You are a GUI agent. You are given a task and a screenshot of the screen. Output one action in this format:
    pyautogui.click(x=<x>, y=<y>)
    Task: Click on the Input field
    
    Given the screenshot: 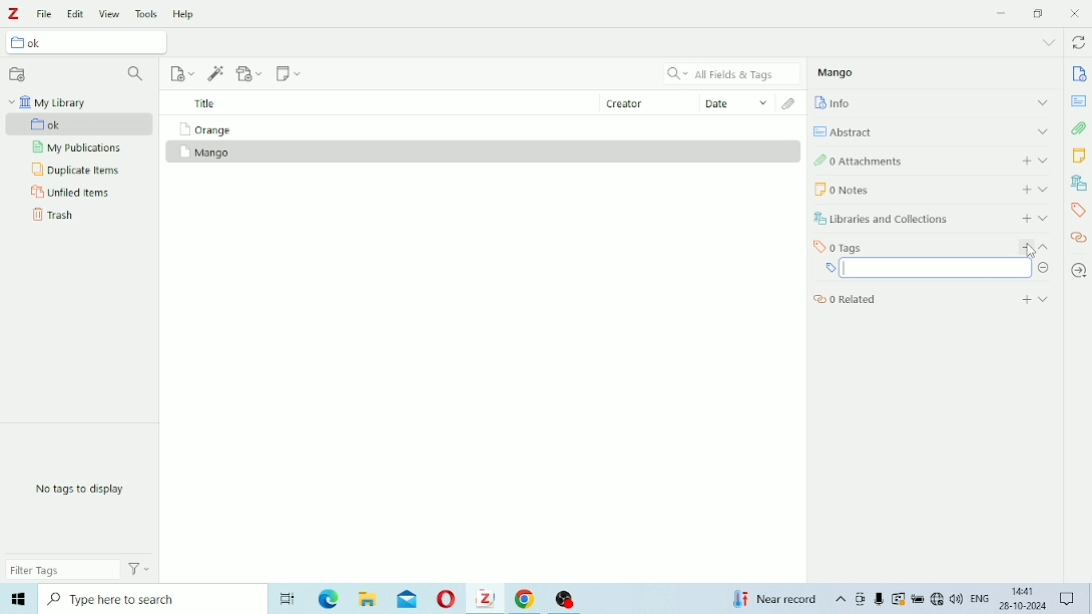 What is the action you would take?
    pyautogui.click(x=927, y=269)
    